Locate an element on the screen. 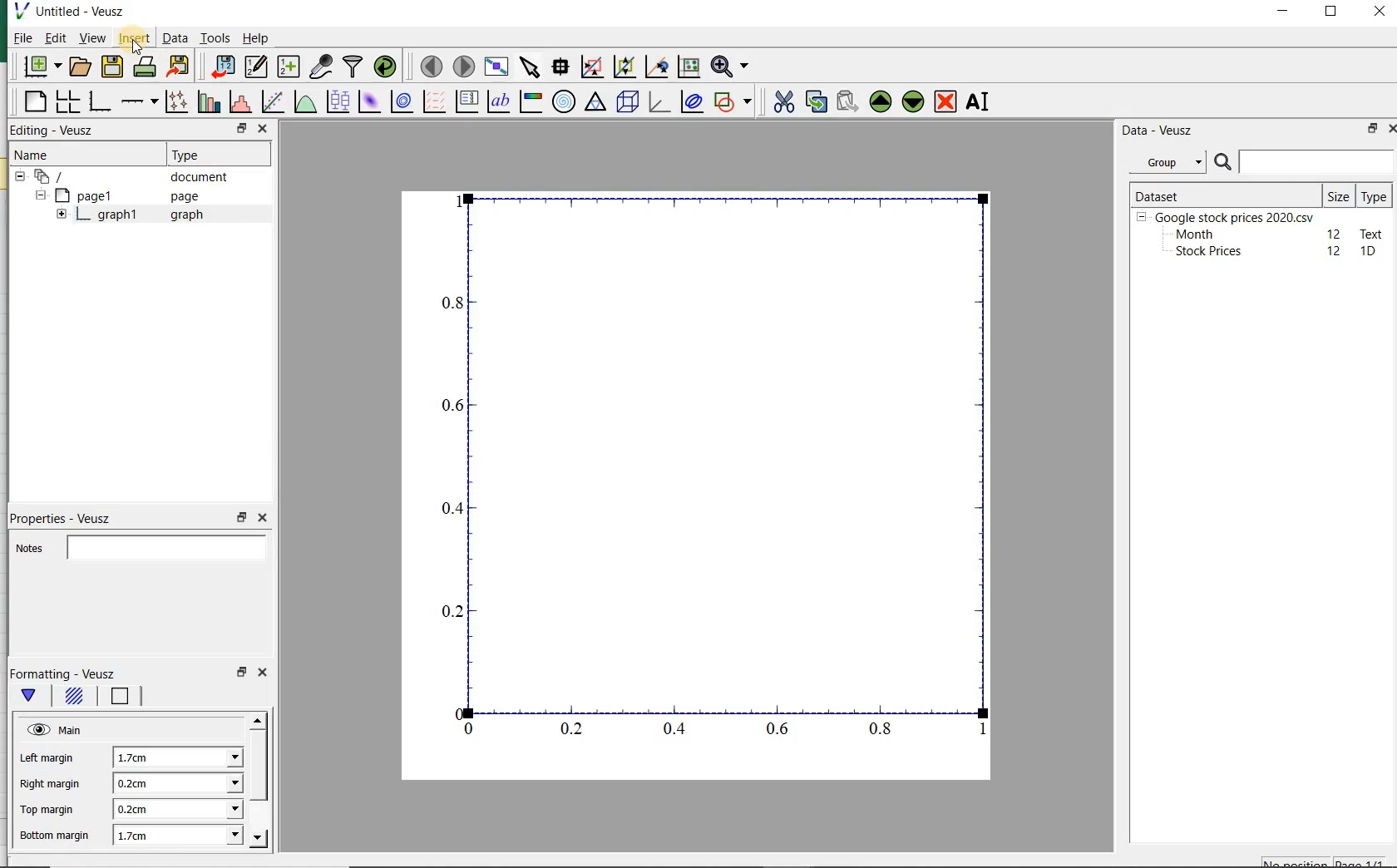  click to zoom out of graph axes is located at coordinates (623, 65).